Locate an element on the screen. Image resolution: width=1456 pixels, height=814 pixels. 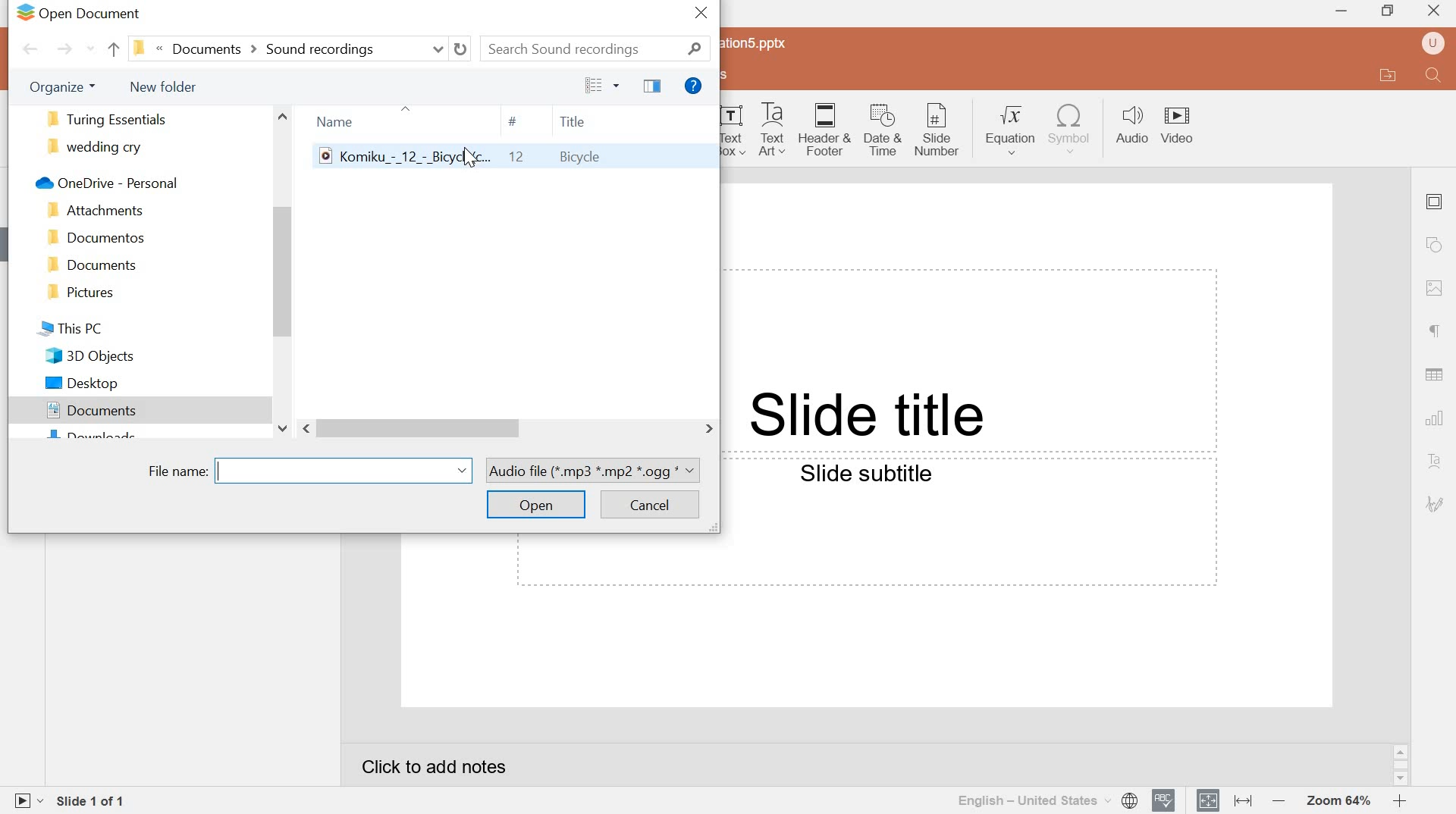
Text Art is located at coordinates (736, 131).